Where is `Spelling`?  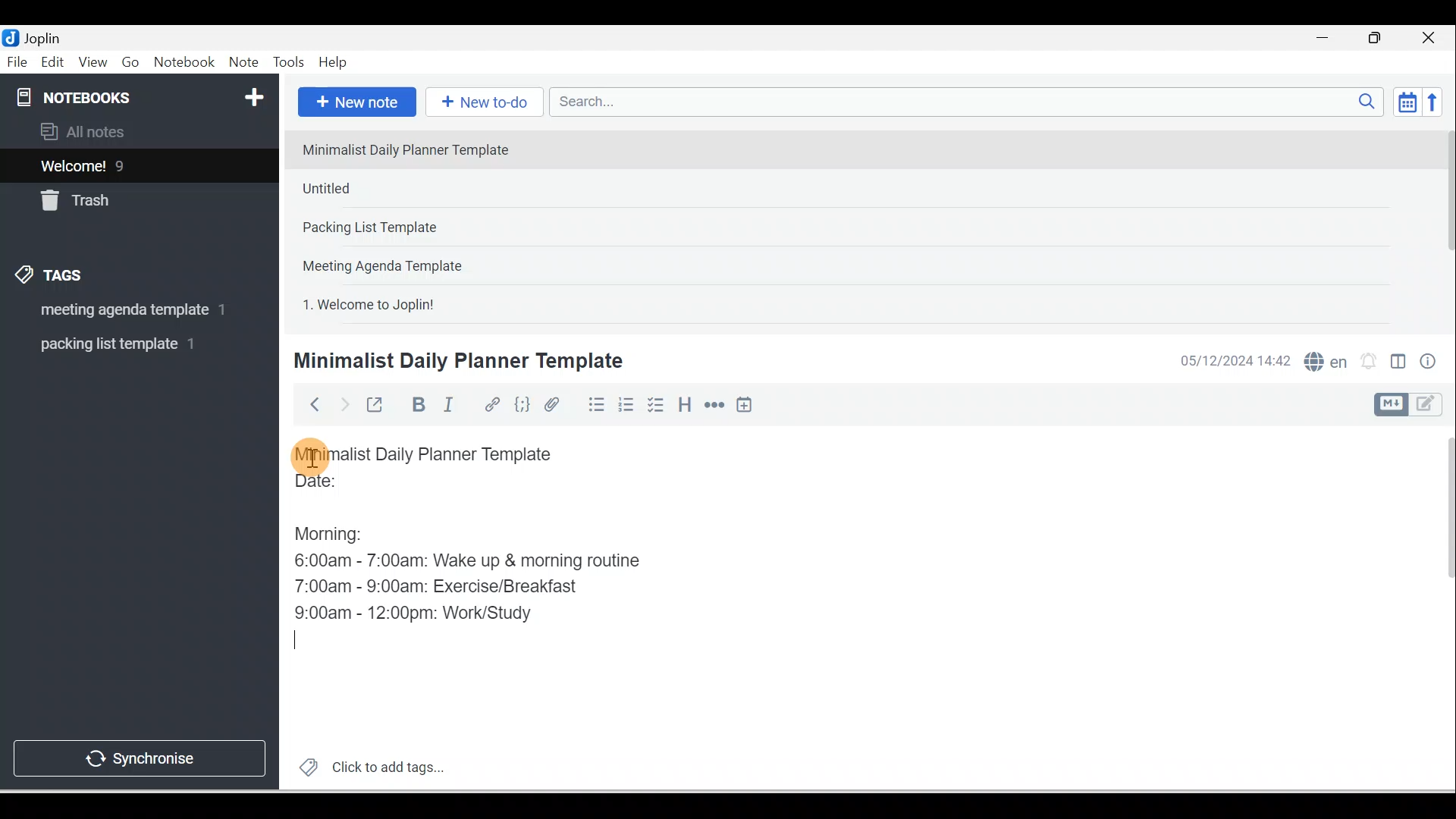 Spelling is located at coordinates (1323, 359).